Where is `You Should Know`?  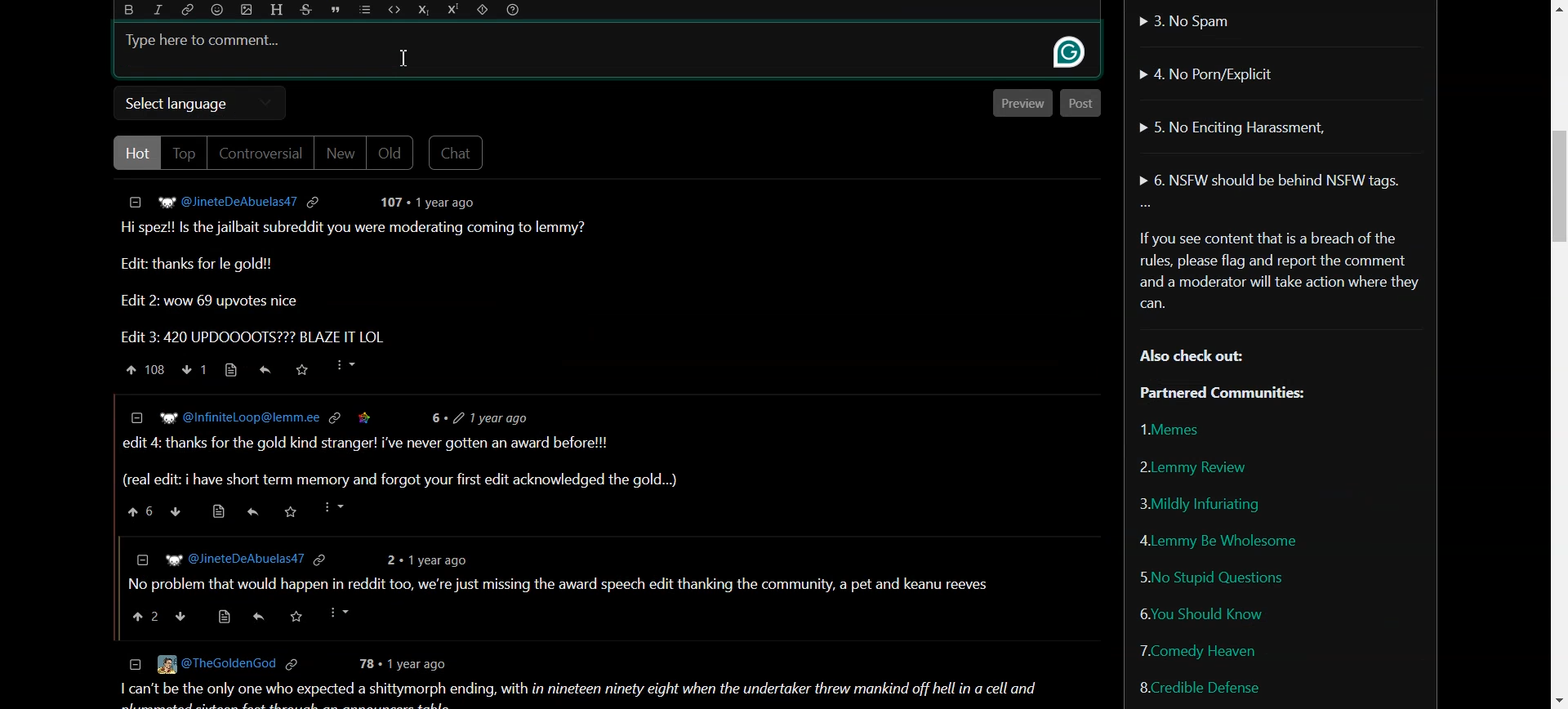 You Should Know is located at coordinates (1200, 612).